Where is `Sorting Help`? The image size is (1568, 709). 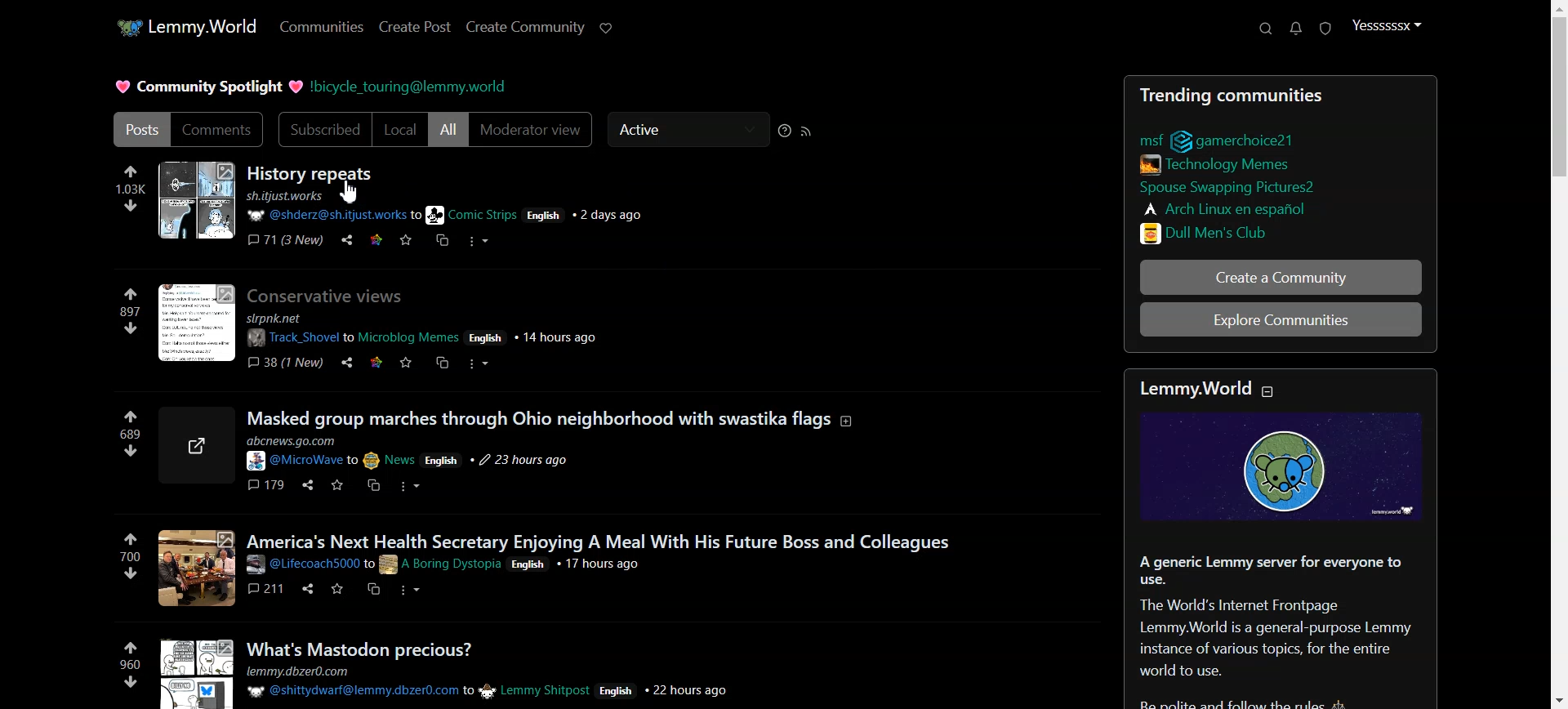 Sorting Help is located at coordinates (785, 131).